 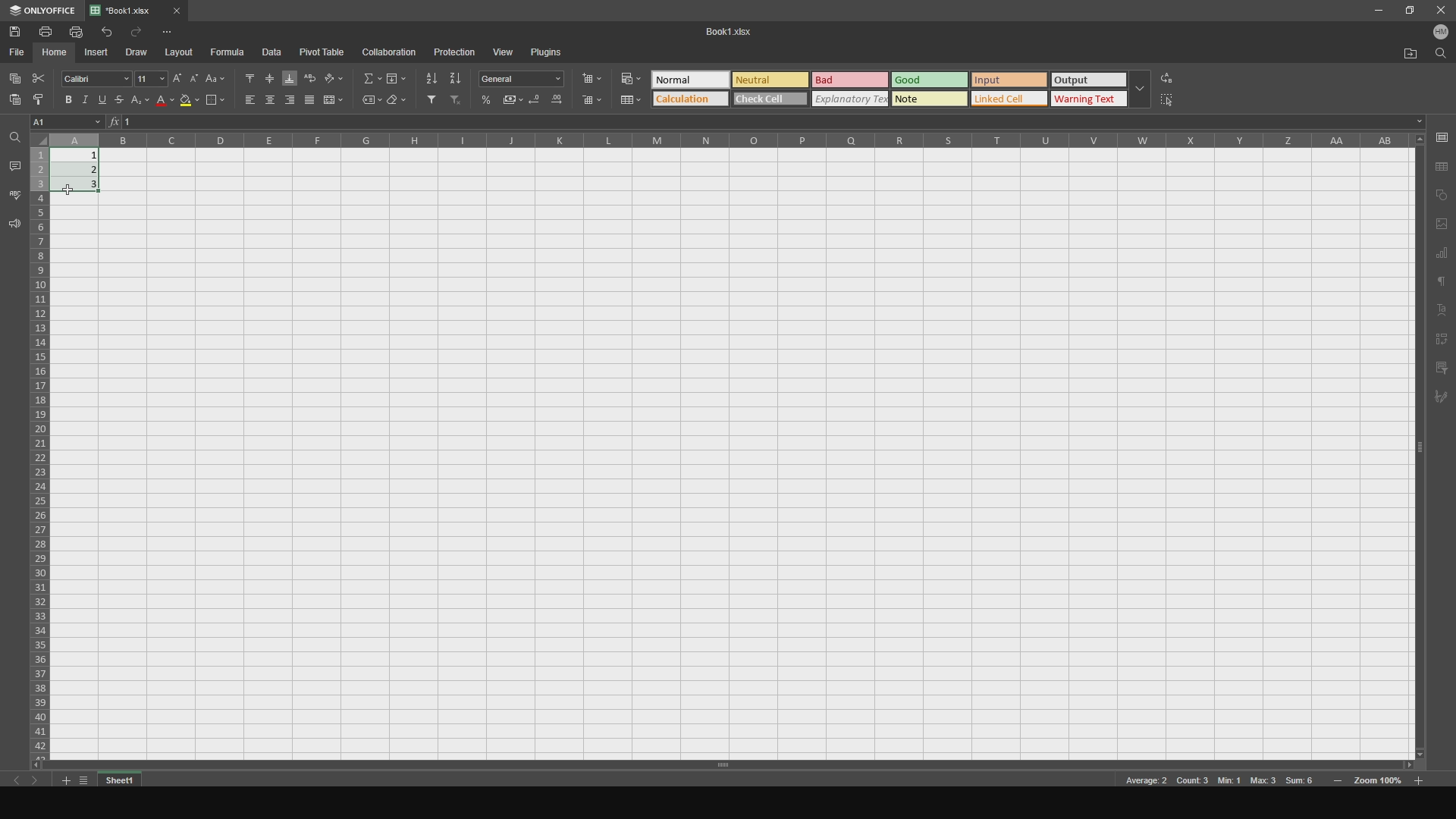 What do you see at coordinates (181, 52) in the screenshot?
I see `layout` at bounding box center [181, 52].